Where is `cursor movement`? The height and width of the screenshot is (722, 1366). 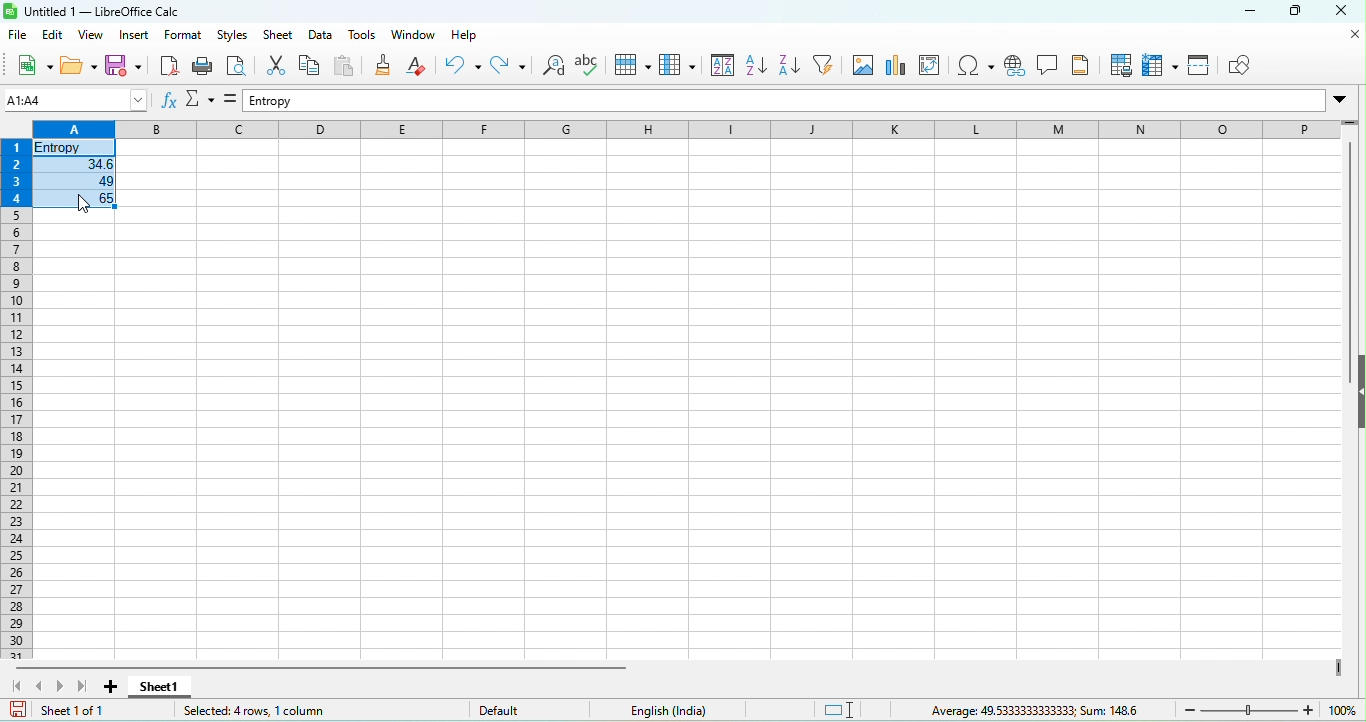 cursor movement is located at coordinates (82, 204).